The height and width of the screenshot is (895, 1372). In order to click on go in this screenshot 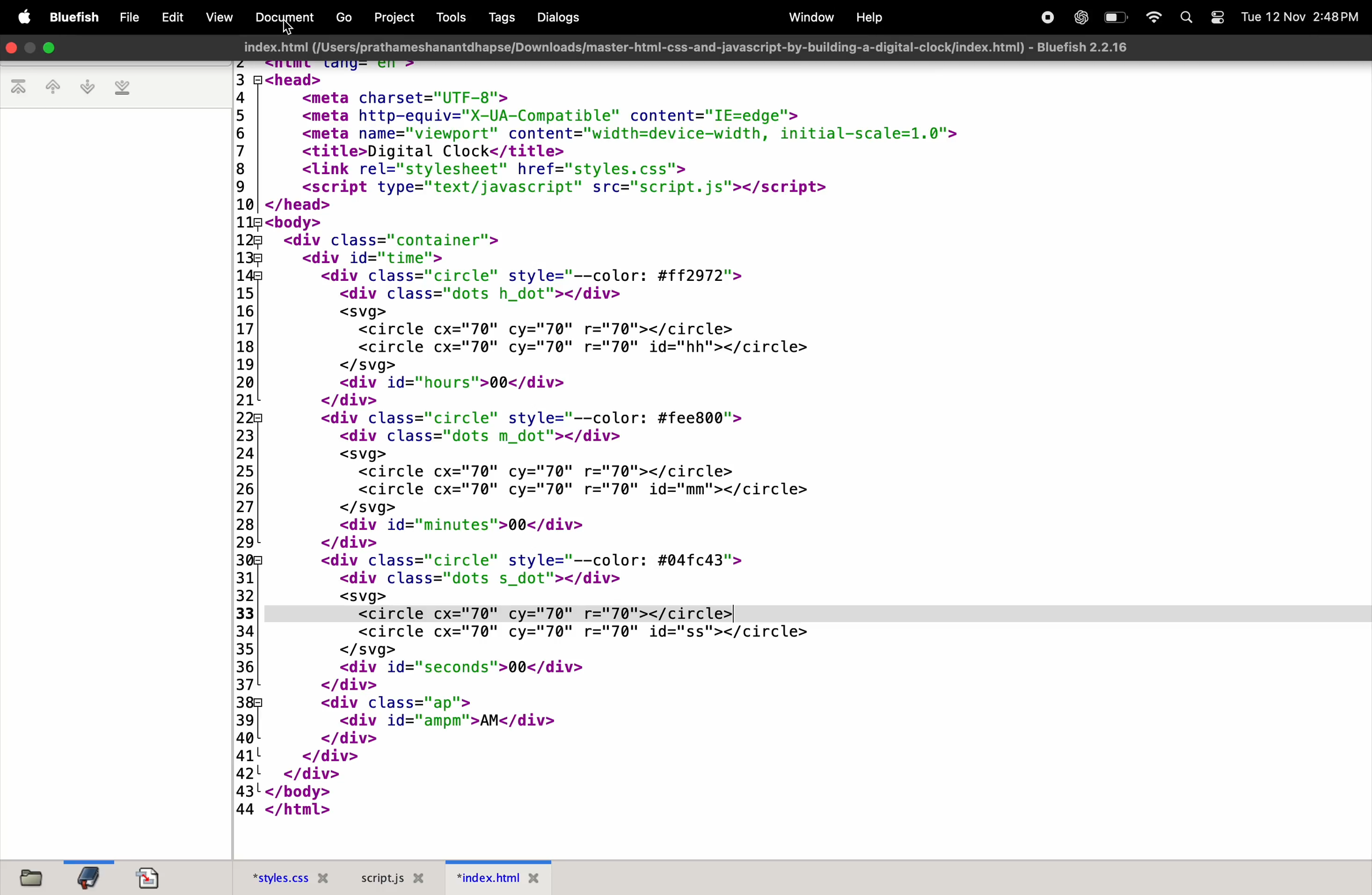, I will do `click(339, 18)`.